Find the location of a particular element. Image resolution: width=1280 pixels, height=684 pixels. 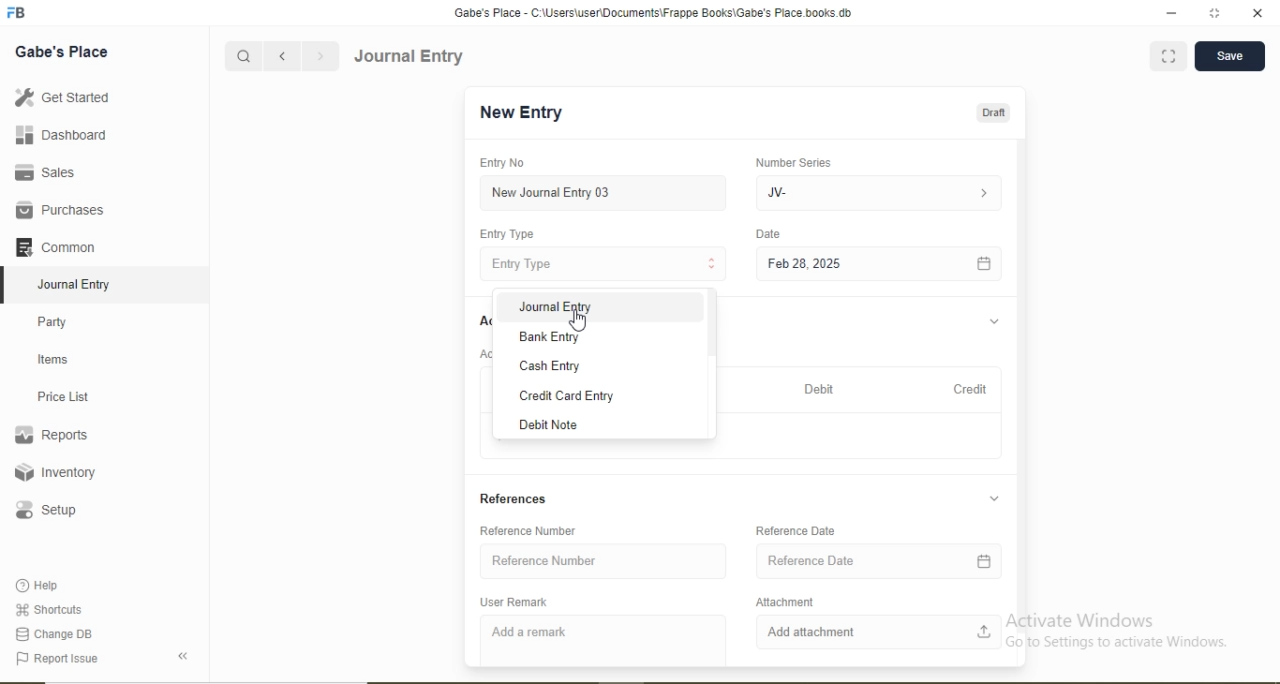

Debit is located at coordinates (819, 389).